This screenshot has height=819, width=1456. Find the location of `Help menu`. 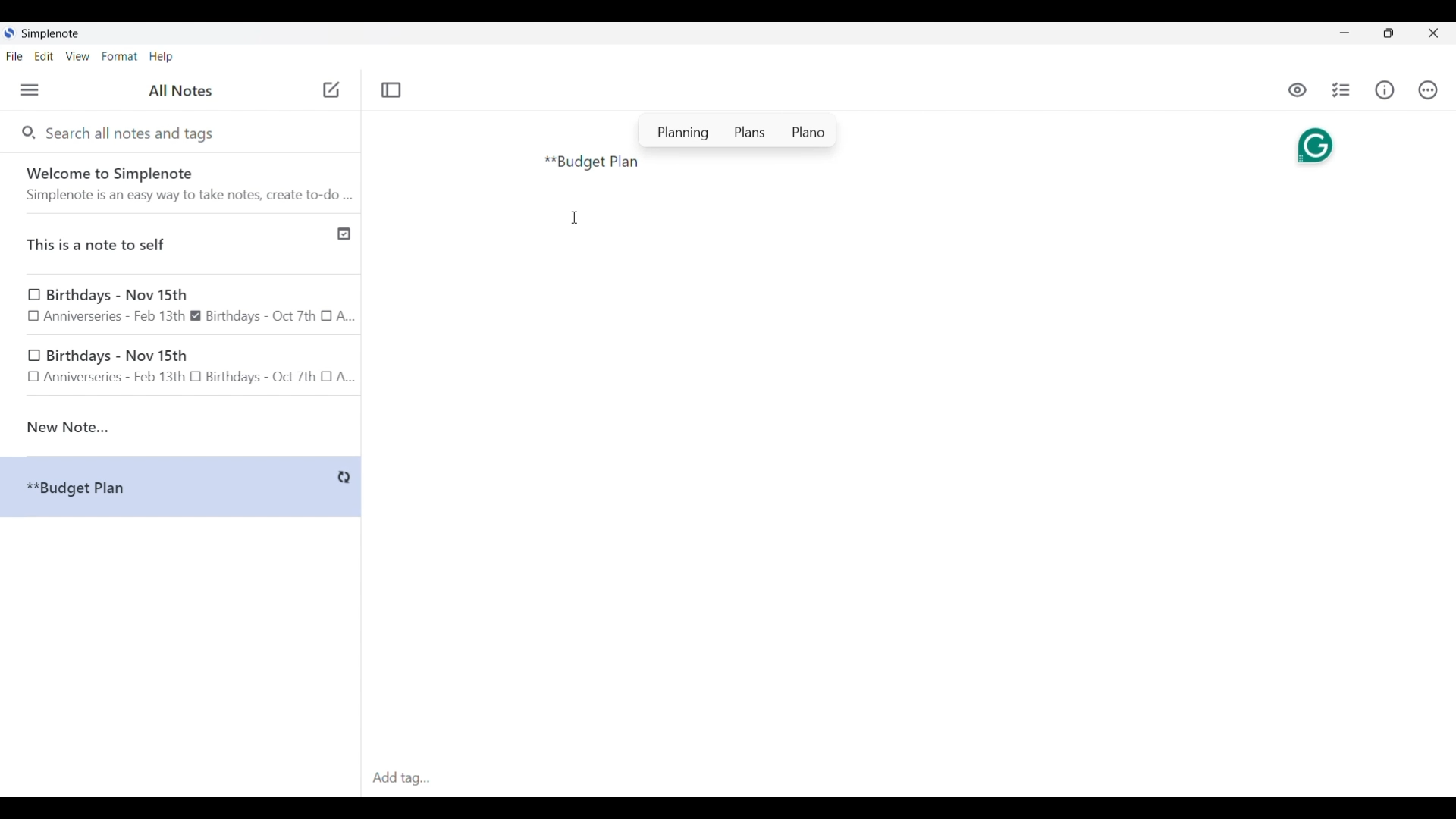

Help menu is located at coordinates (161, 56).